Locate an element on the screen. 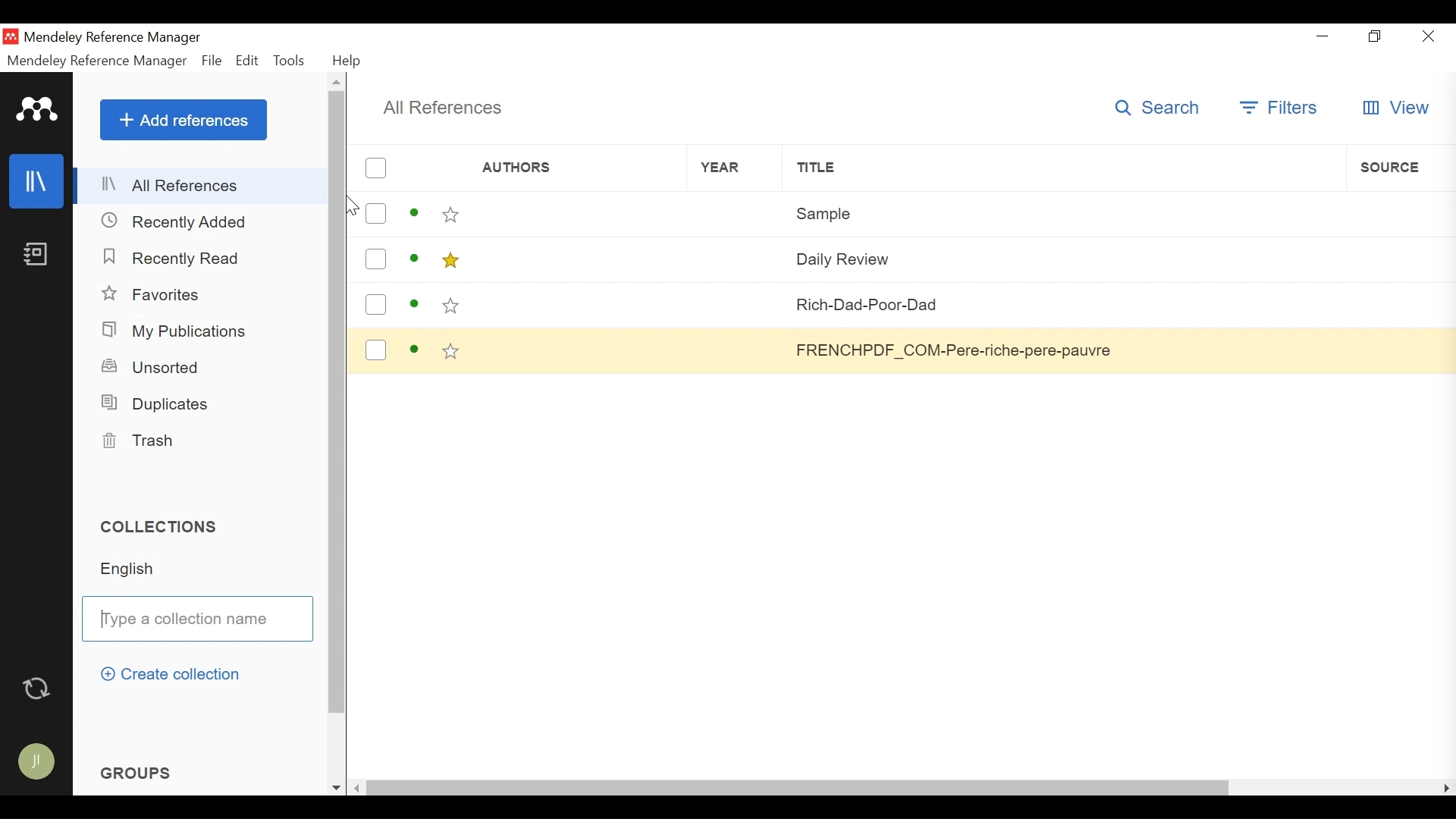 This screenshot has width=1456, height=819. Close is located at coordinates (1426, 36).